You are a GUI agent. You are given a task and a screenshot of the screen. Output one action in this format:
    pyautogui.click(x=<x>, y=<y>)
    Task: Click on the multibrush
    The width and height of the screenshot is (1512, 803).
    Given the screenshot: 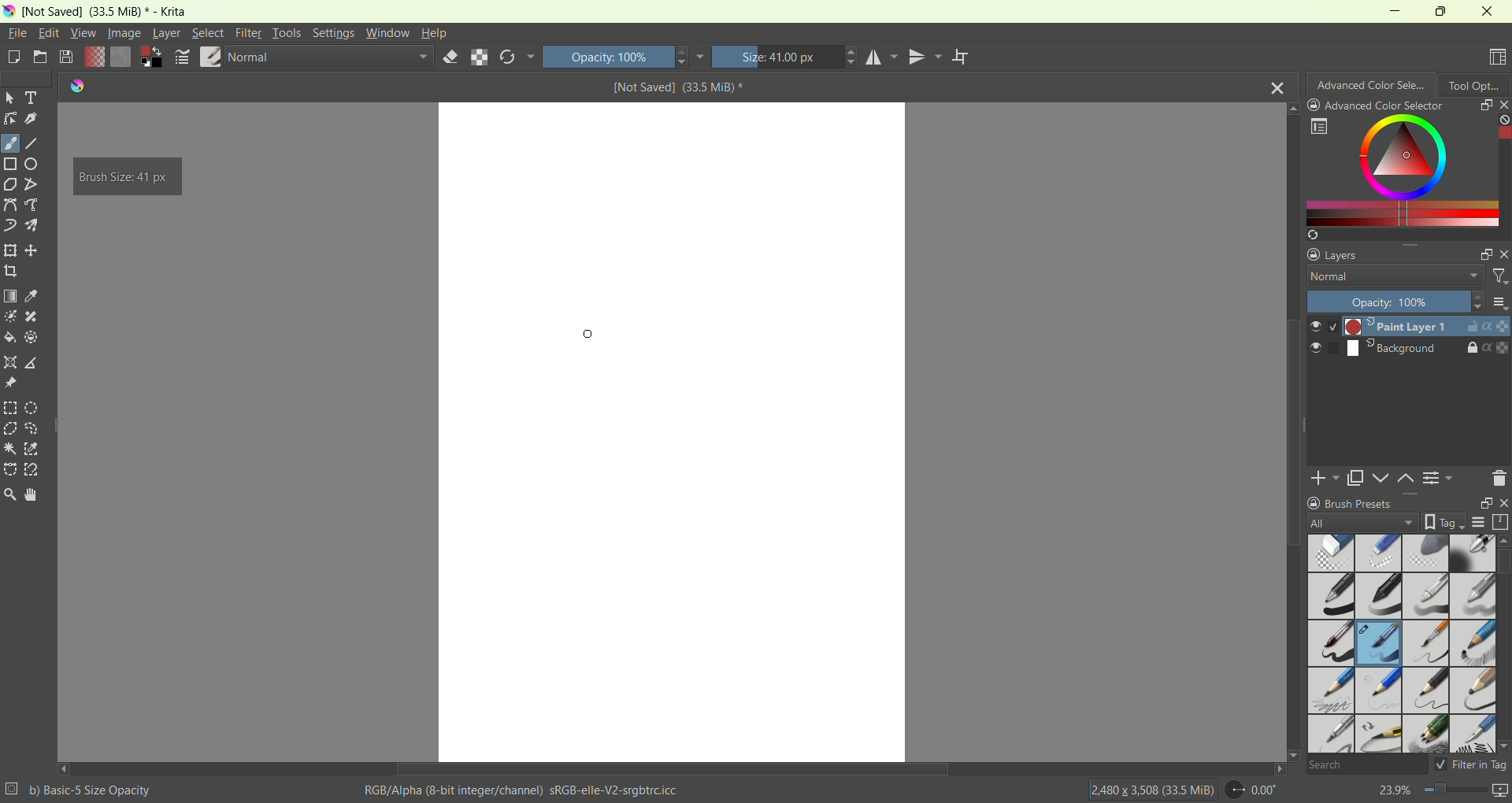 What is the action you would take?
    pyautogui.click(x=31, y=225)
    